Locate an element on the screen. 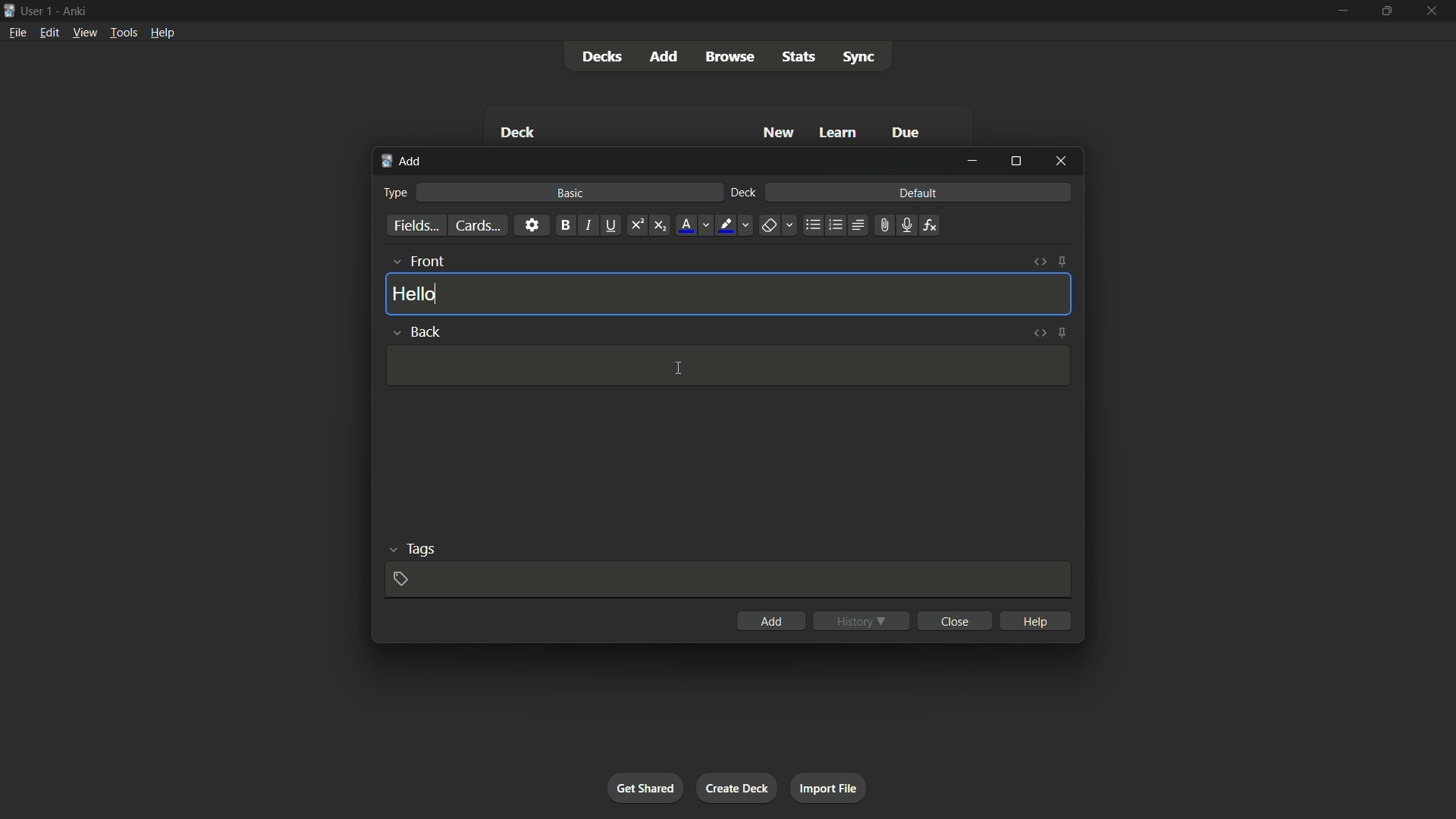 The width and height of the screenshot is (1456, 819). browse is located at coordinates (729, 56).